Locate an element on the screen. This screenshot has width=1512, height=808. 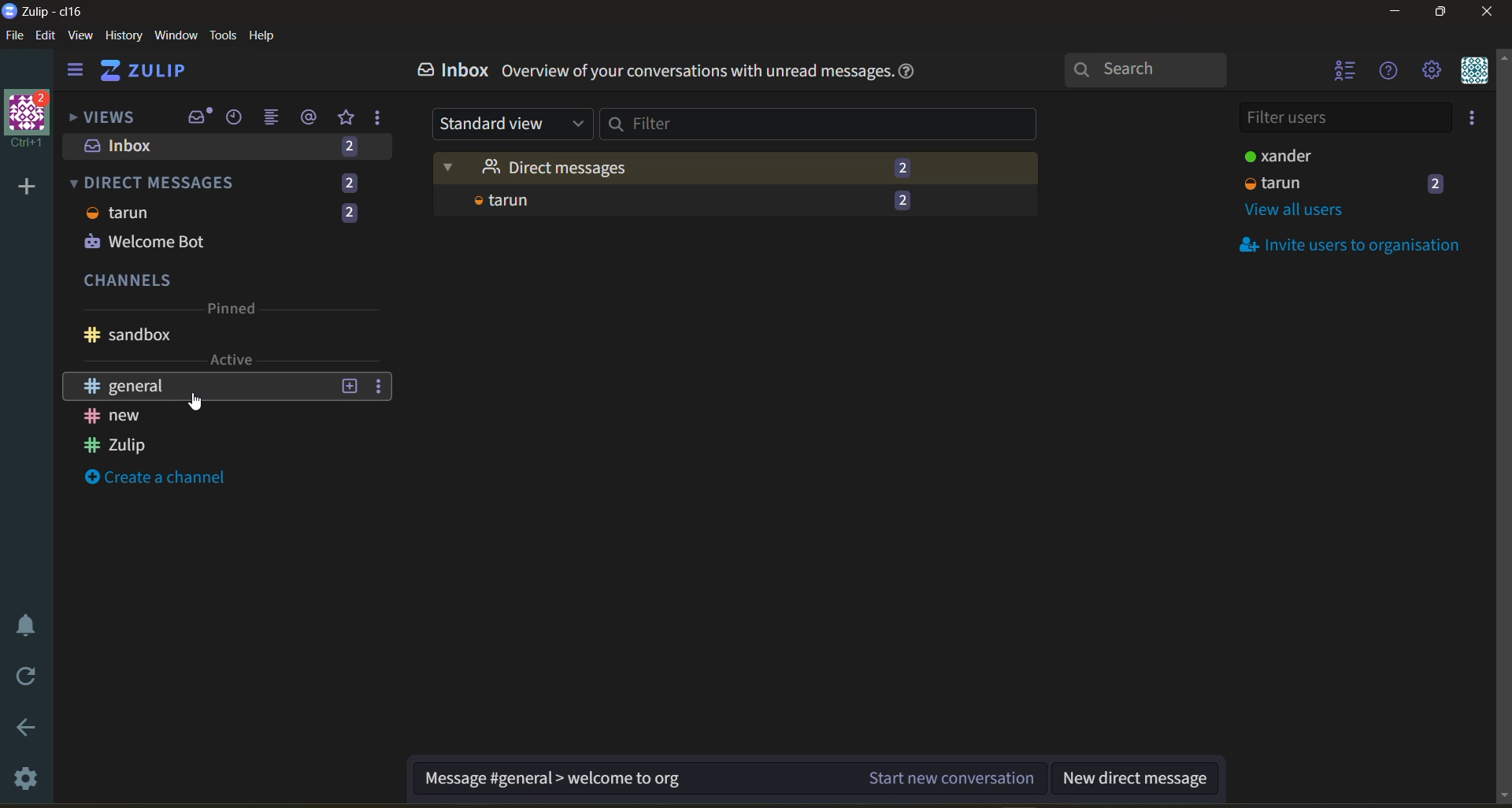
app name and organisation name is located at coordinates (43, 12).